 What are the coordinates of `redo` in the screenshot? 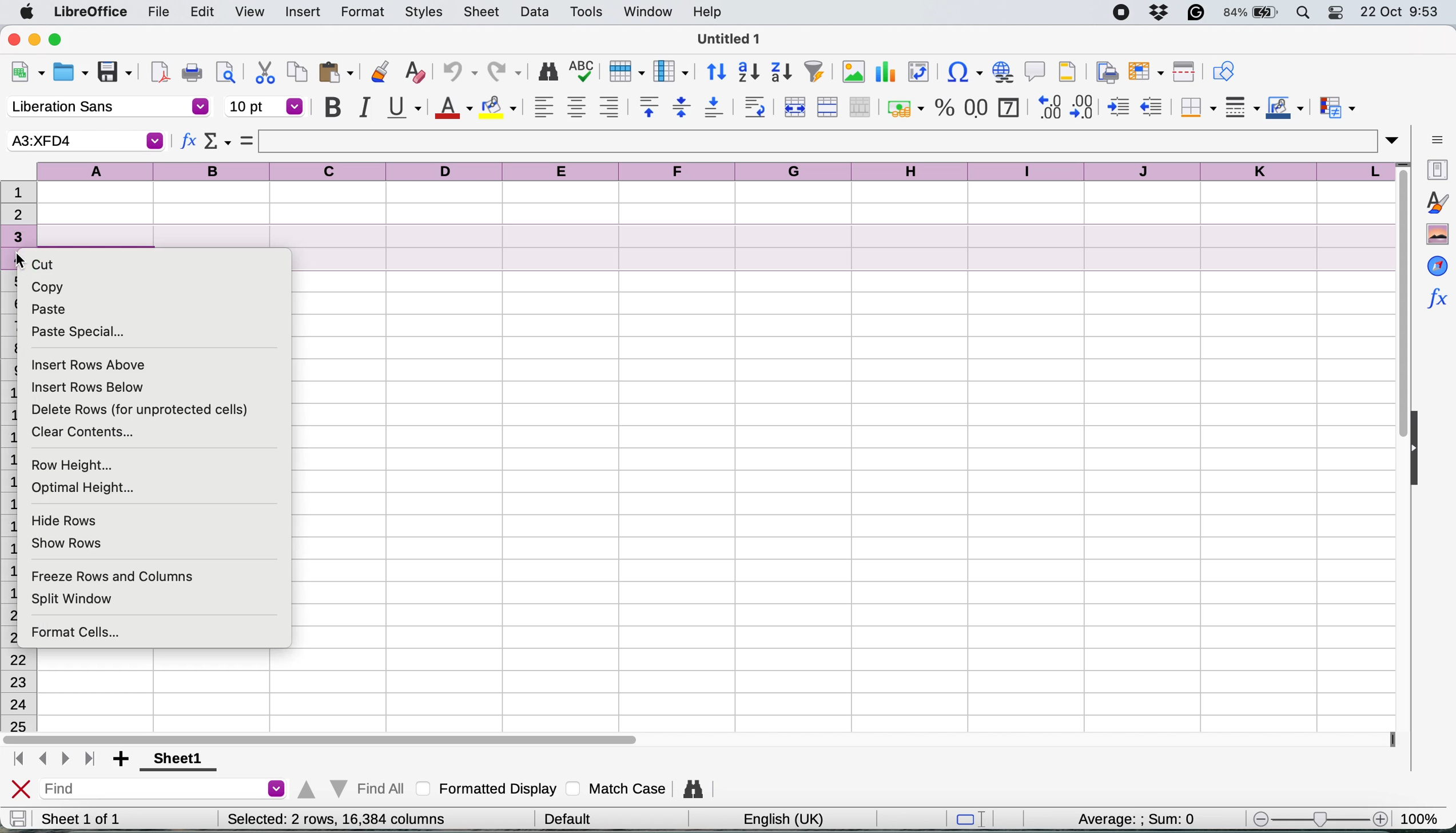 It's located at (506, 73).